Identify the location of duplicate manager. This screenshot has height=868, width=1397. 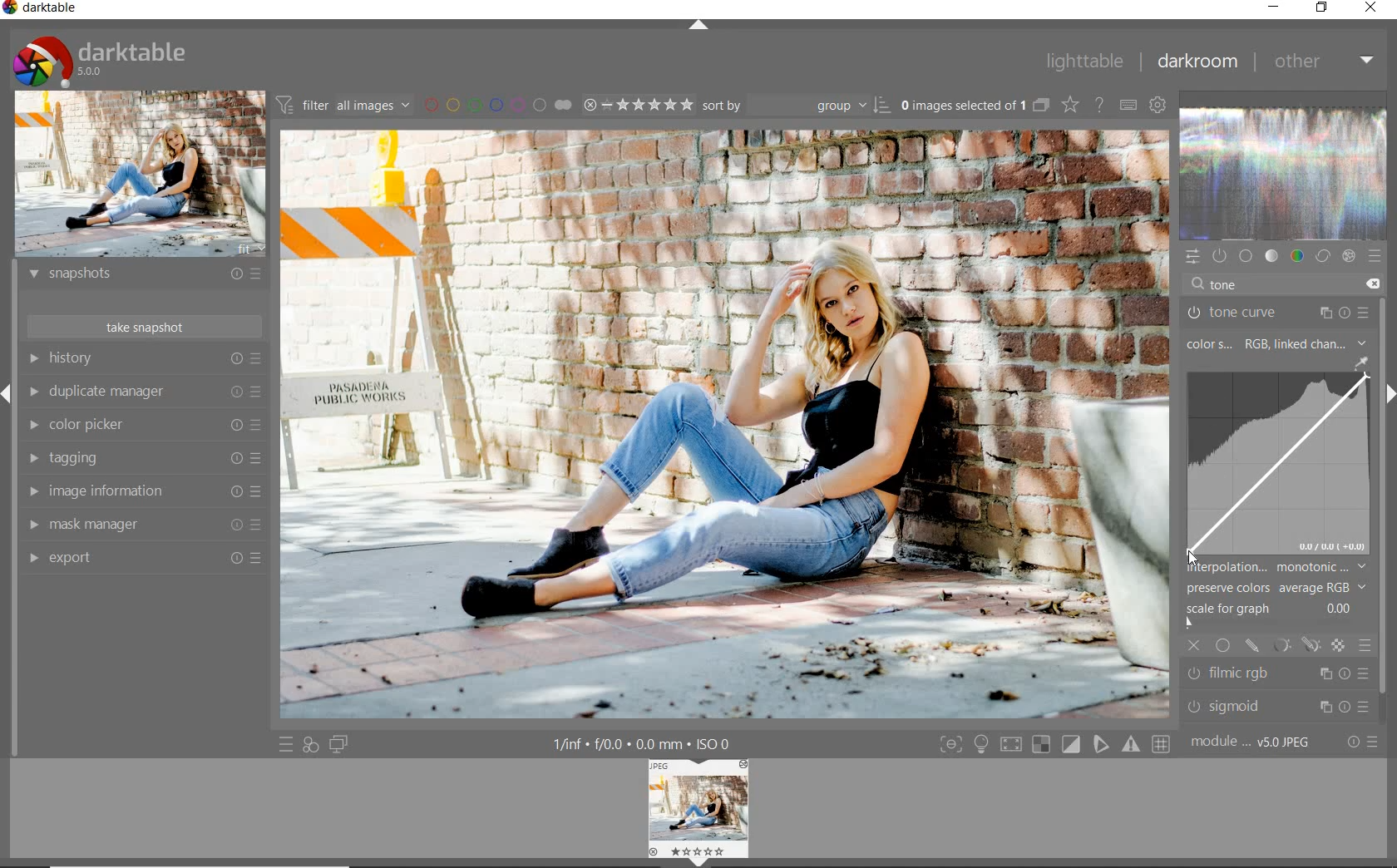
(146, 394).